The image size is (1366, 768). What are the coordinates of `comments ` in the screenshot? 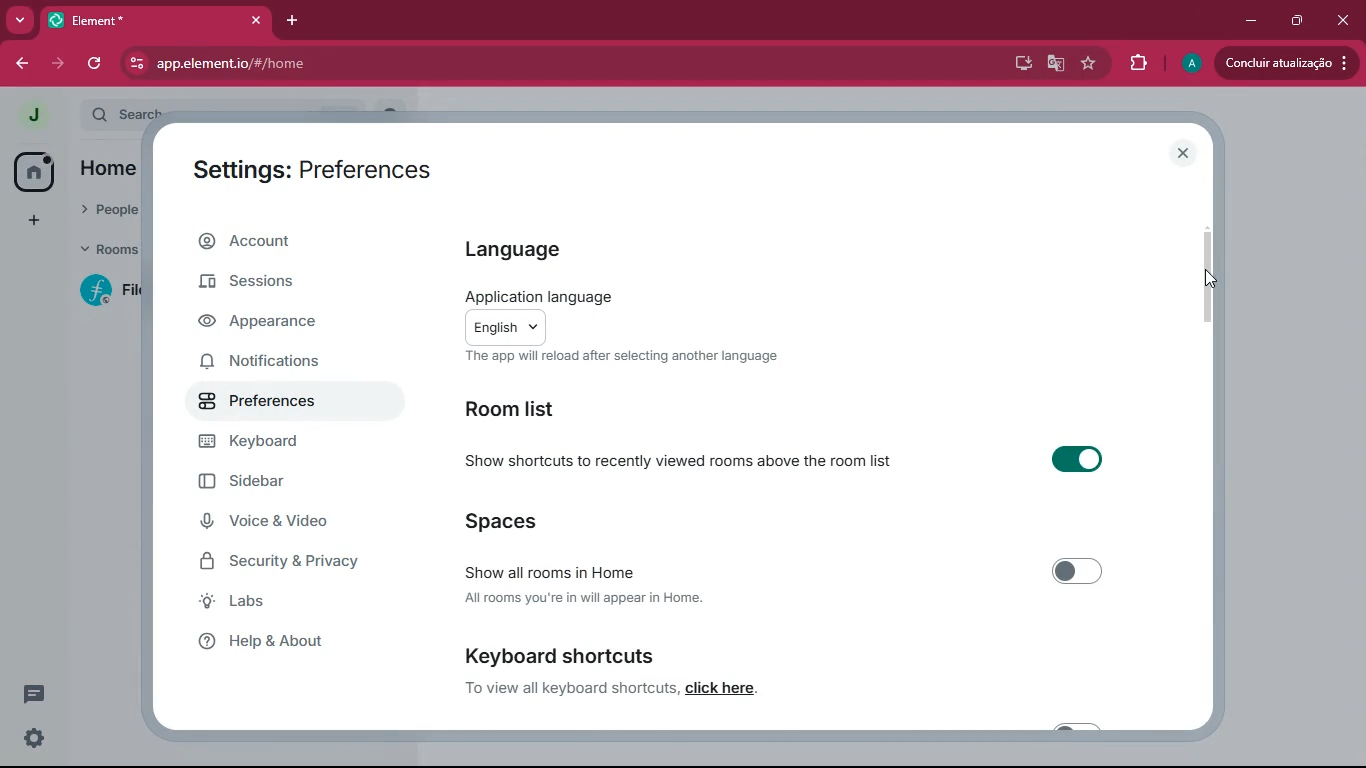 It's located at (48, 698).